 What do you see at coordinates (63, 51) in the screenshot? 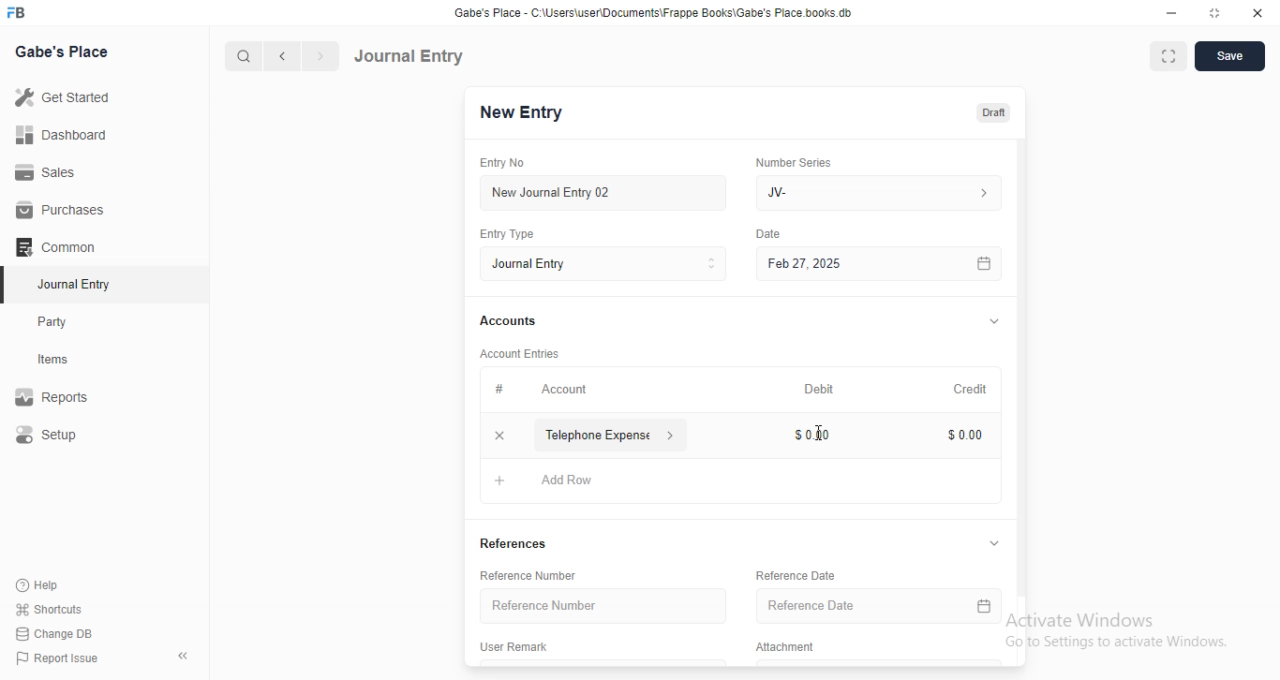
I see `Gabe's Place` at bounding box center [63, 51].